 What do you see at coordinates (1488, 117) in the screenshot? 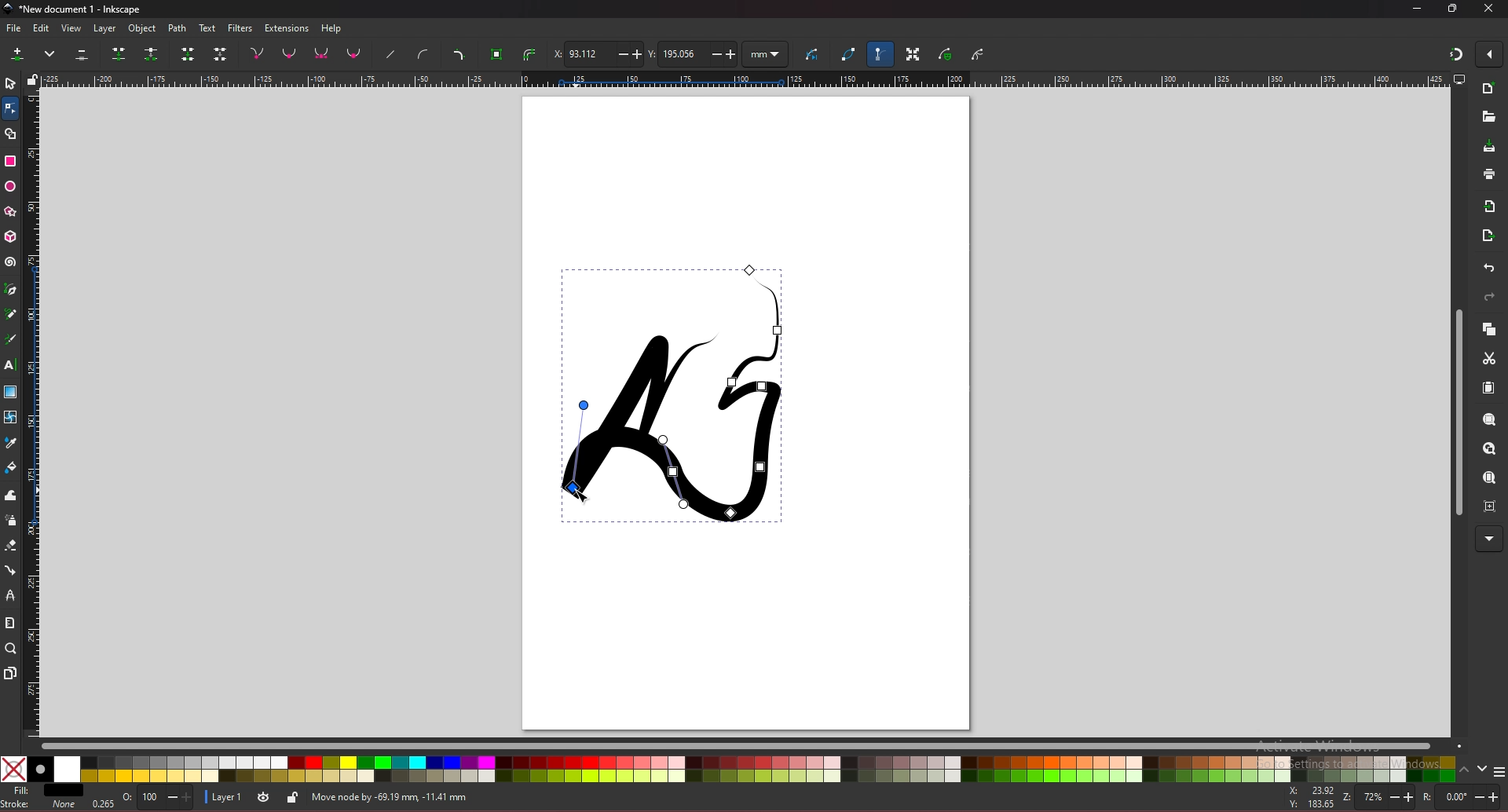
I see `open` at bounding box center [1488, 117].